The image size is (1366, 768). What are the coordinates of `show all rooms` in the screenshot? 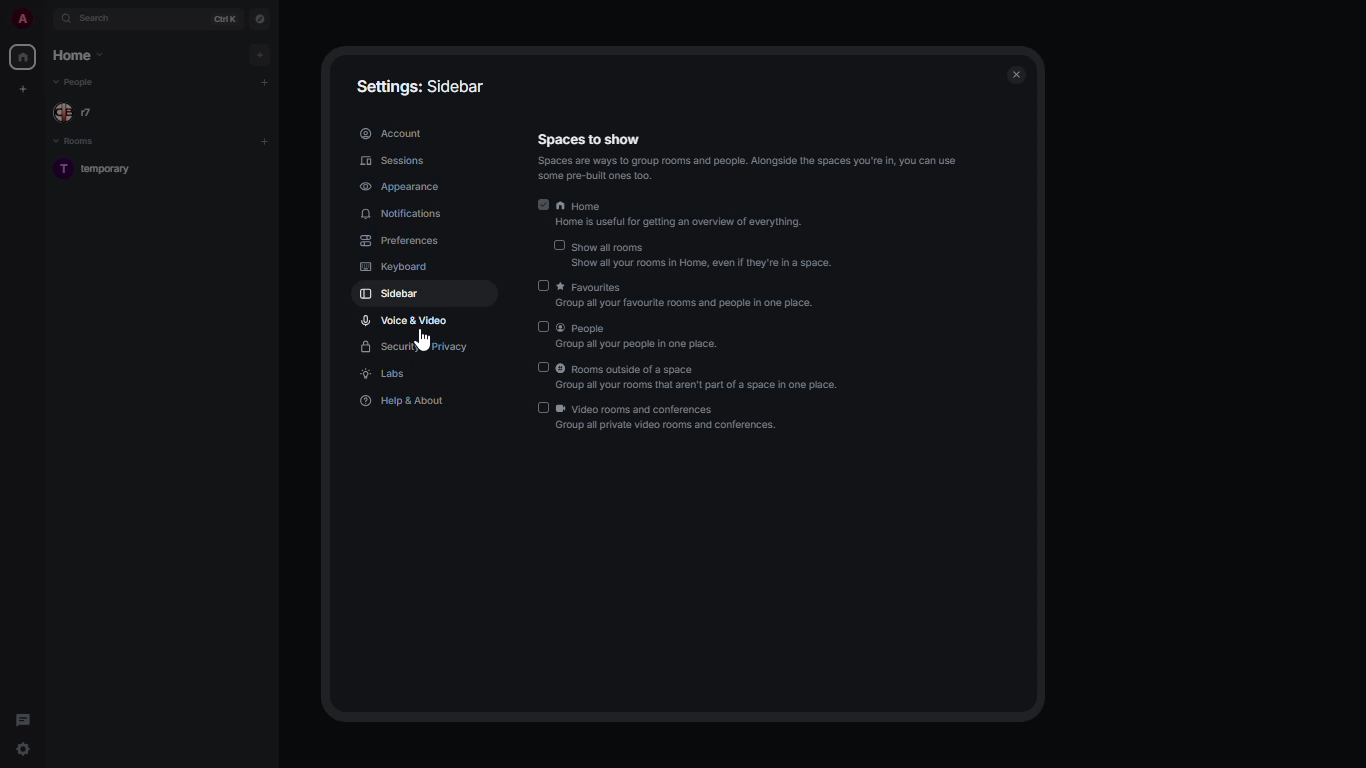 It's located at (705, 254).